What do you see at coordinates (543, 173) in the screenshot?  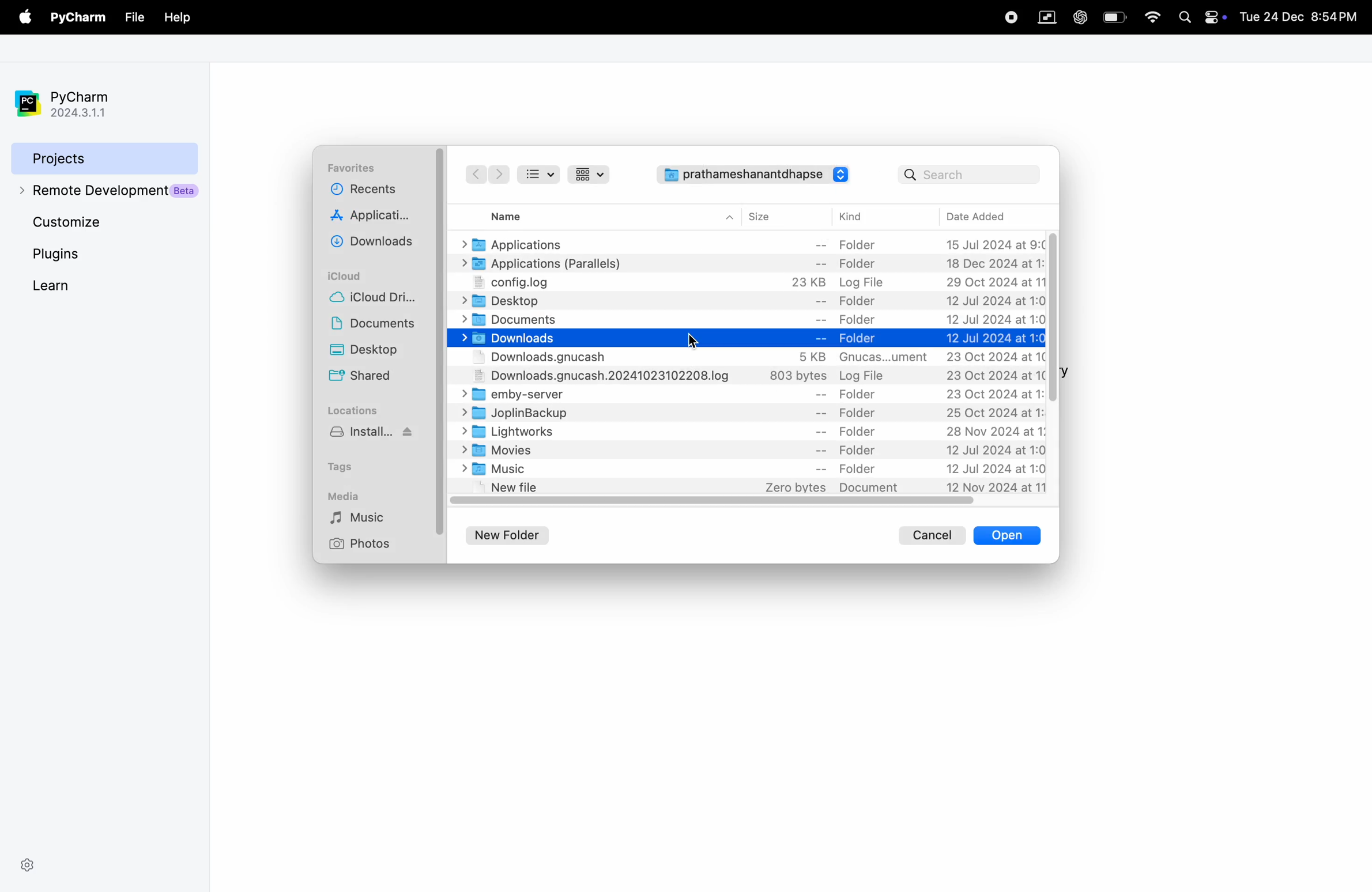 I see `list view` at bounding box center [543, 173].